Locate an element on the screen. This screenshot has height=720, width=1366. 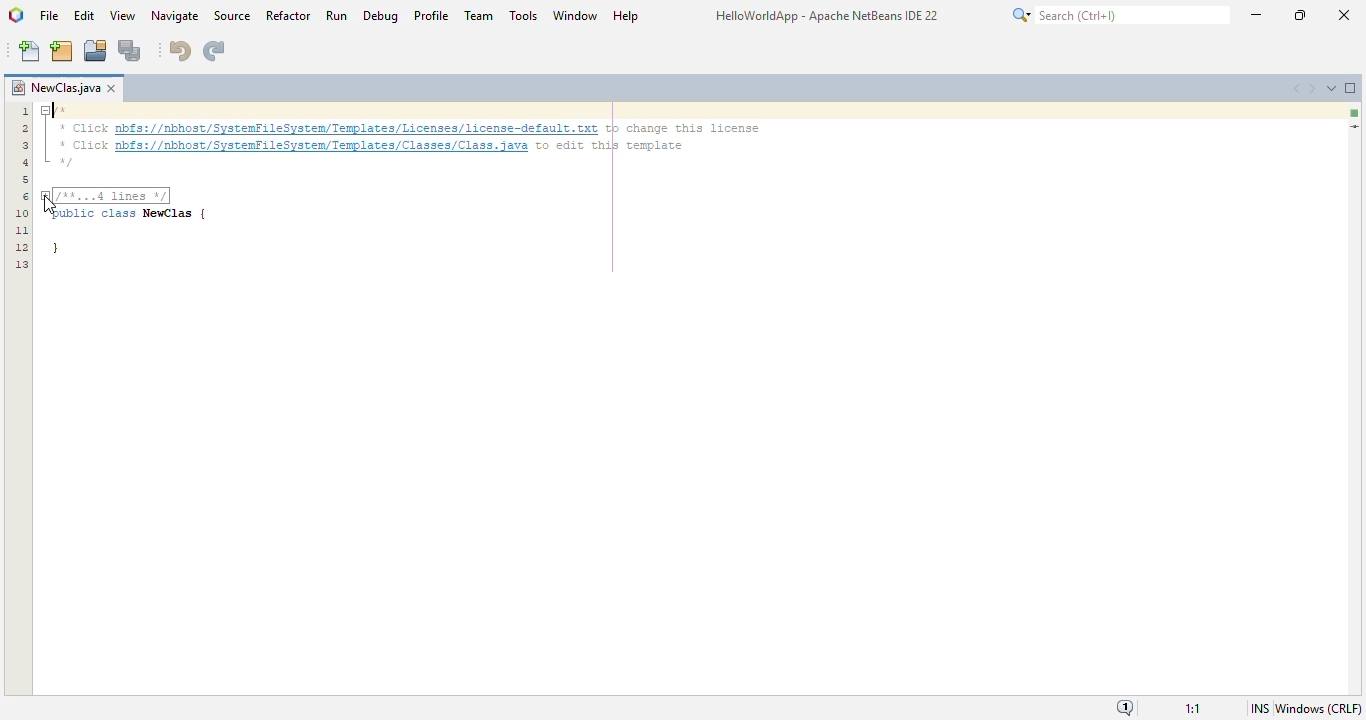
save all is located at coordinates (130, 50).